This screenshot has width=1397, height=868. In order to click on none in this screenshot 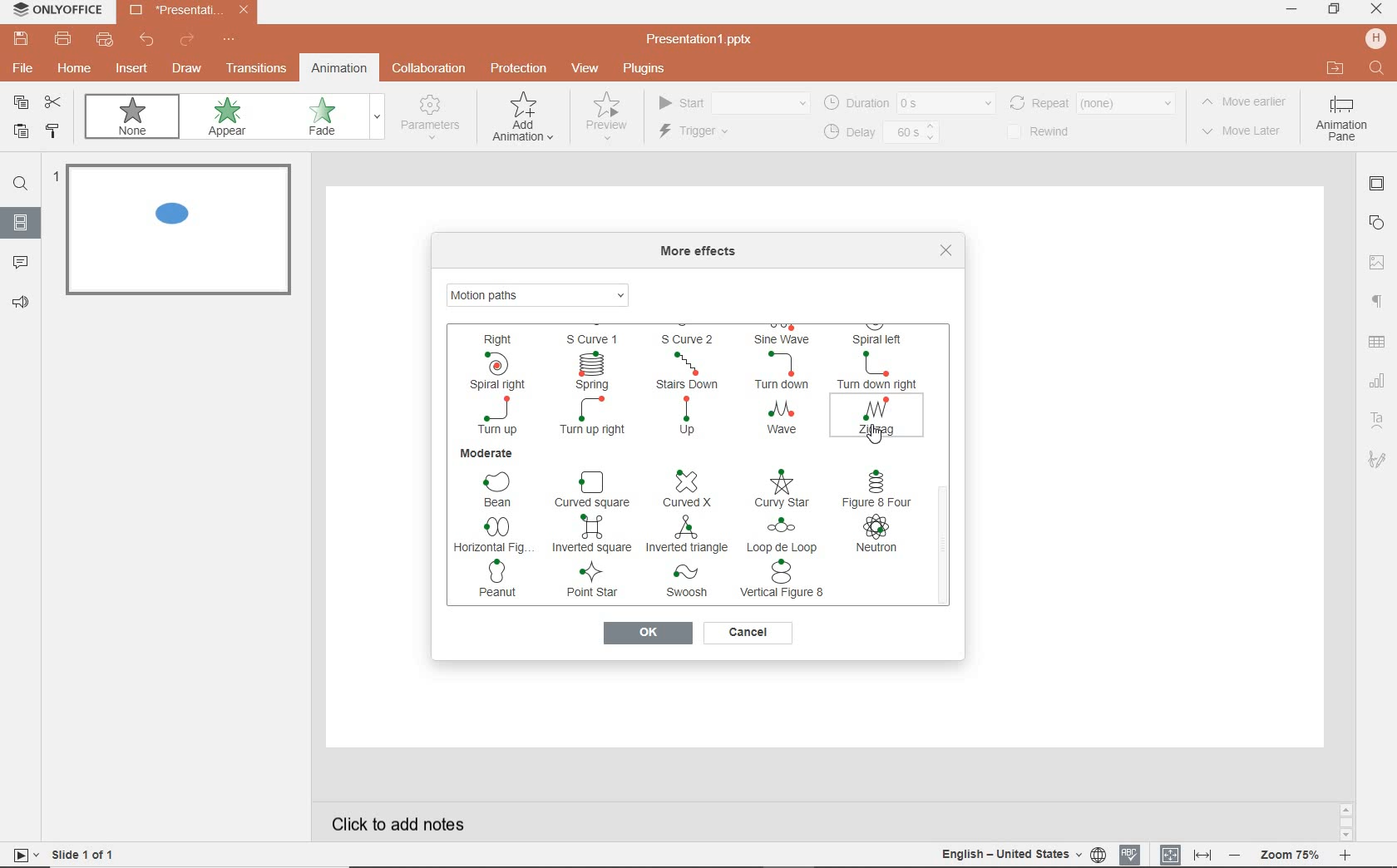, I will do `click(136, 120)`.